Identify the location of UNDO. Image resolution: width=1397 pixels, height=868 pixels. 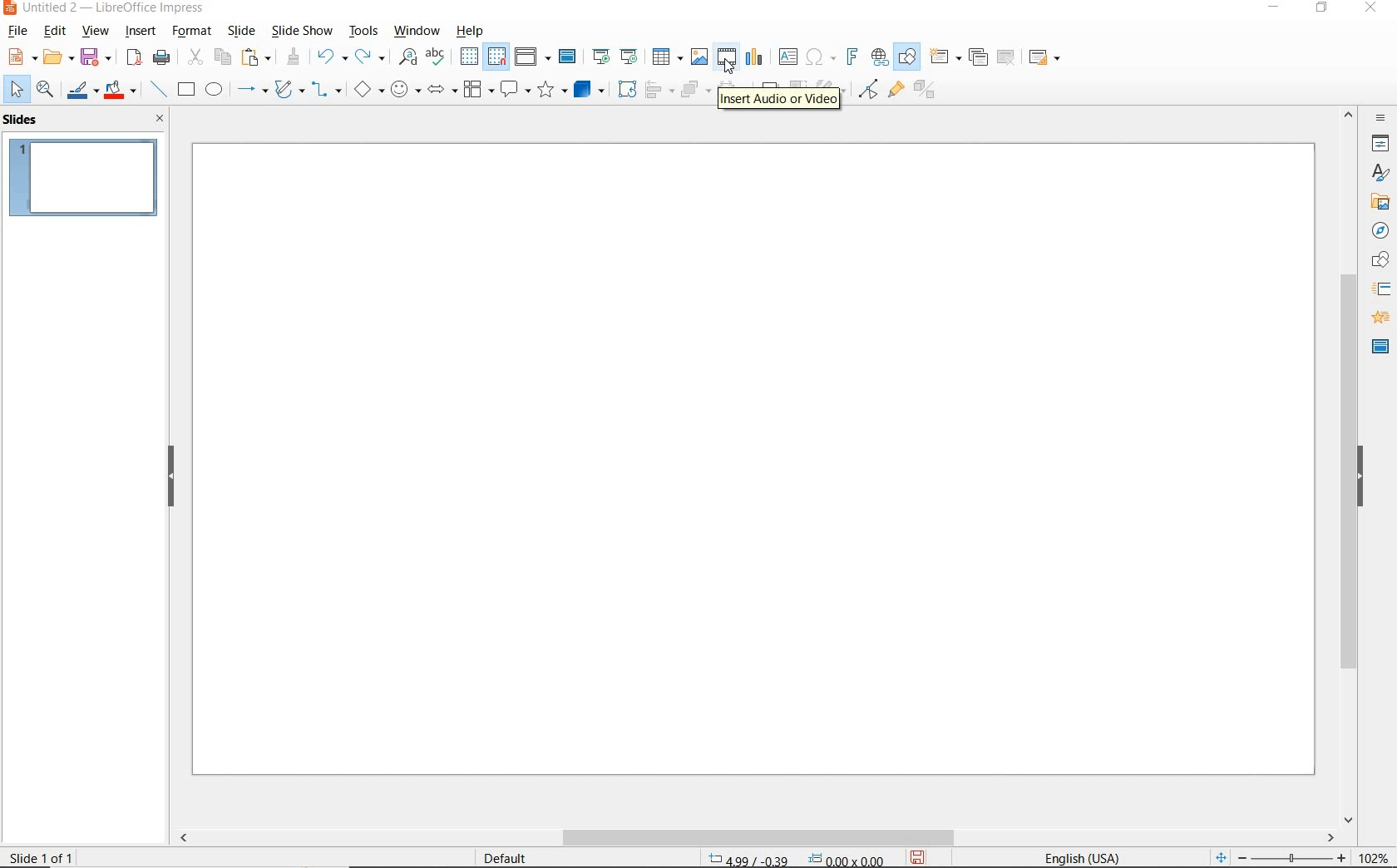
(333, 57).